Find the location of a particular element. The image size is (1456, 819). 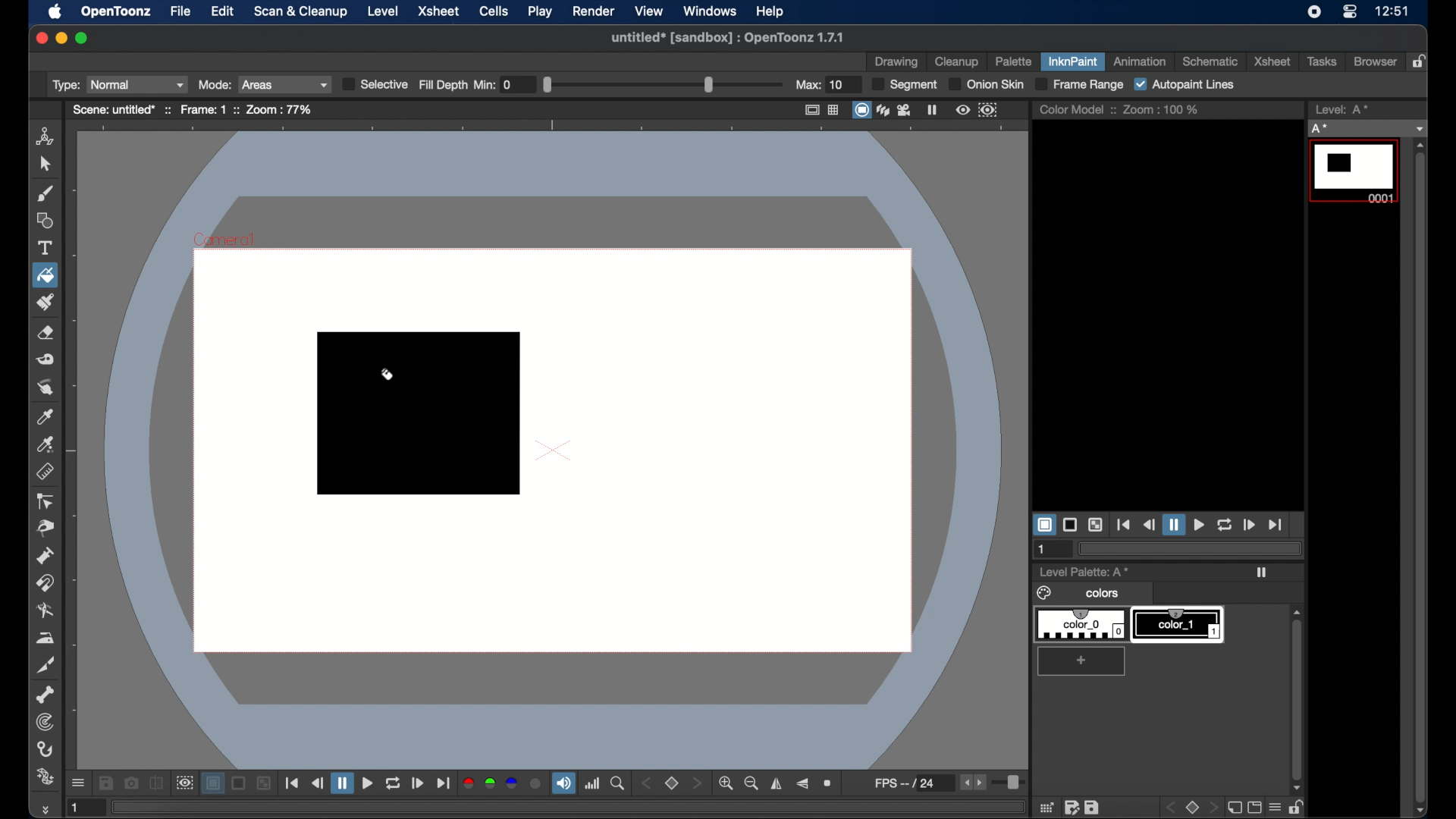

level 0001 is located at coordinates (1356, 171).